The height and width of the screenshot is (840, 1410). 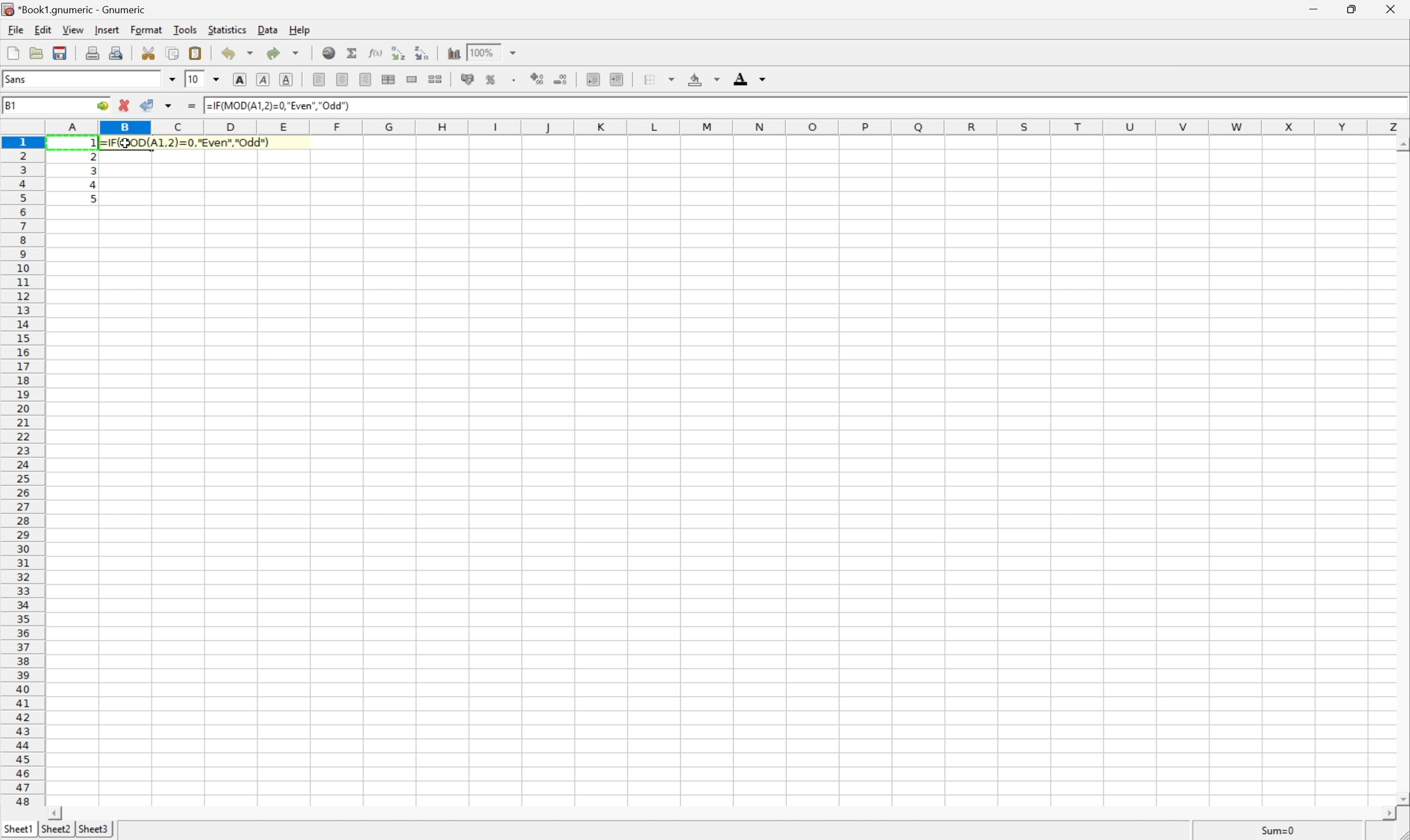 What do you see at coordinates (512, 53) in the screenshot?
I see `Drop Down` at bounding box center [512, 53].